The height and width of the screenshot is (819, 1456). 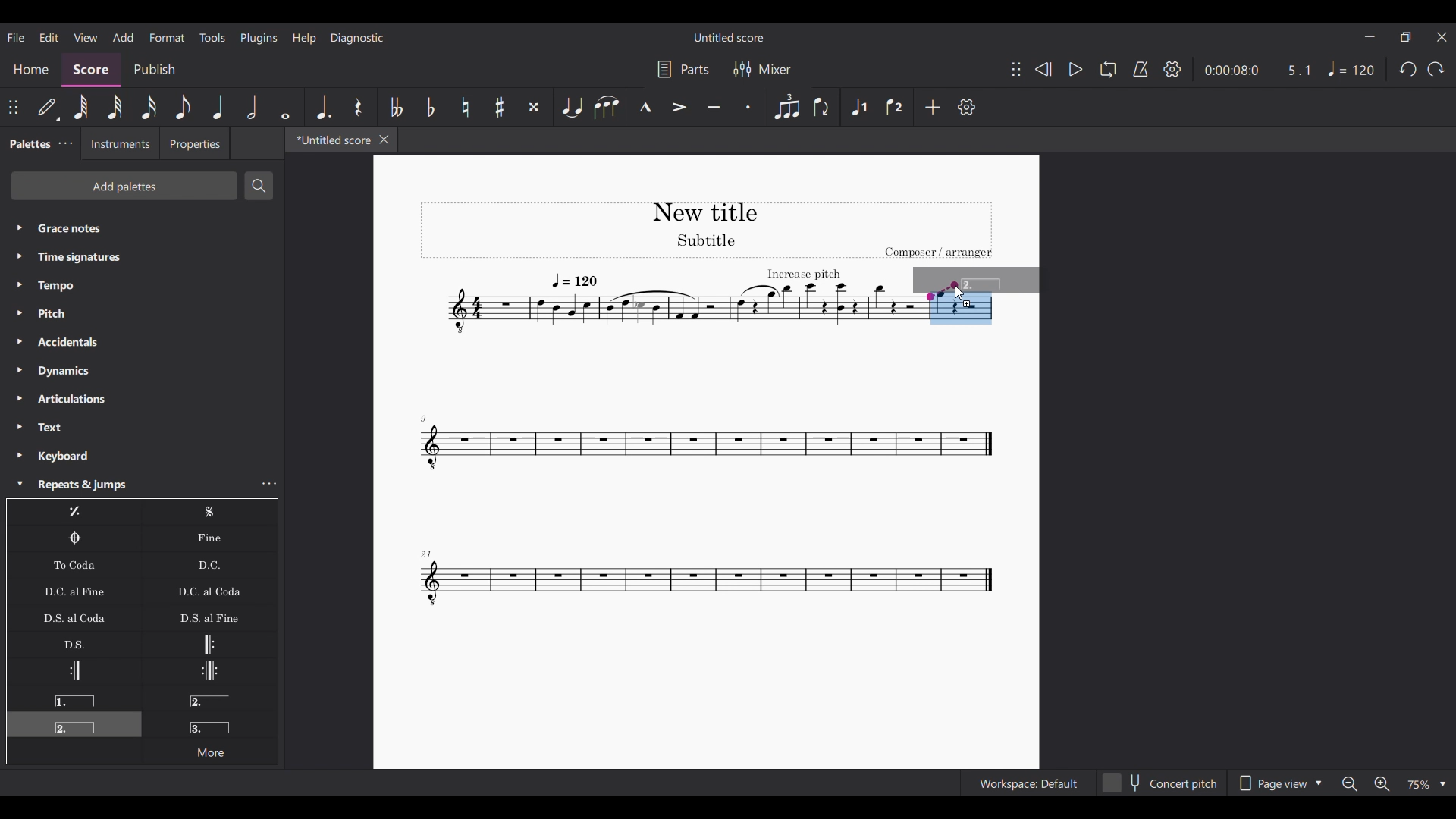 What do you see at coordinates (142, 371) in the screenshot?
I see `Dynamics` at bounding box center [142, 371].